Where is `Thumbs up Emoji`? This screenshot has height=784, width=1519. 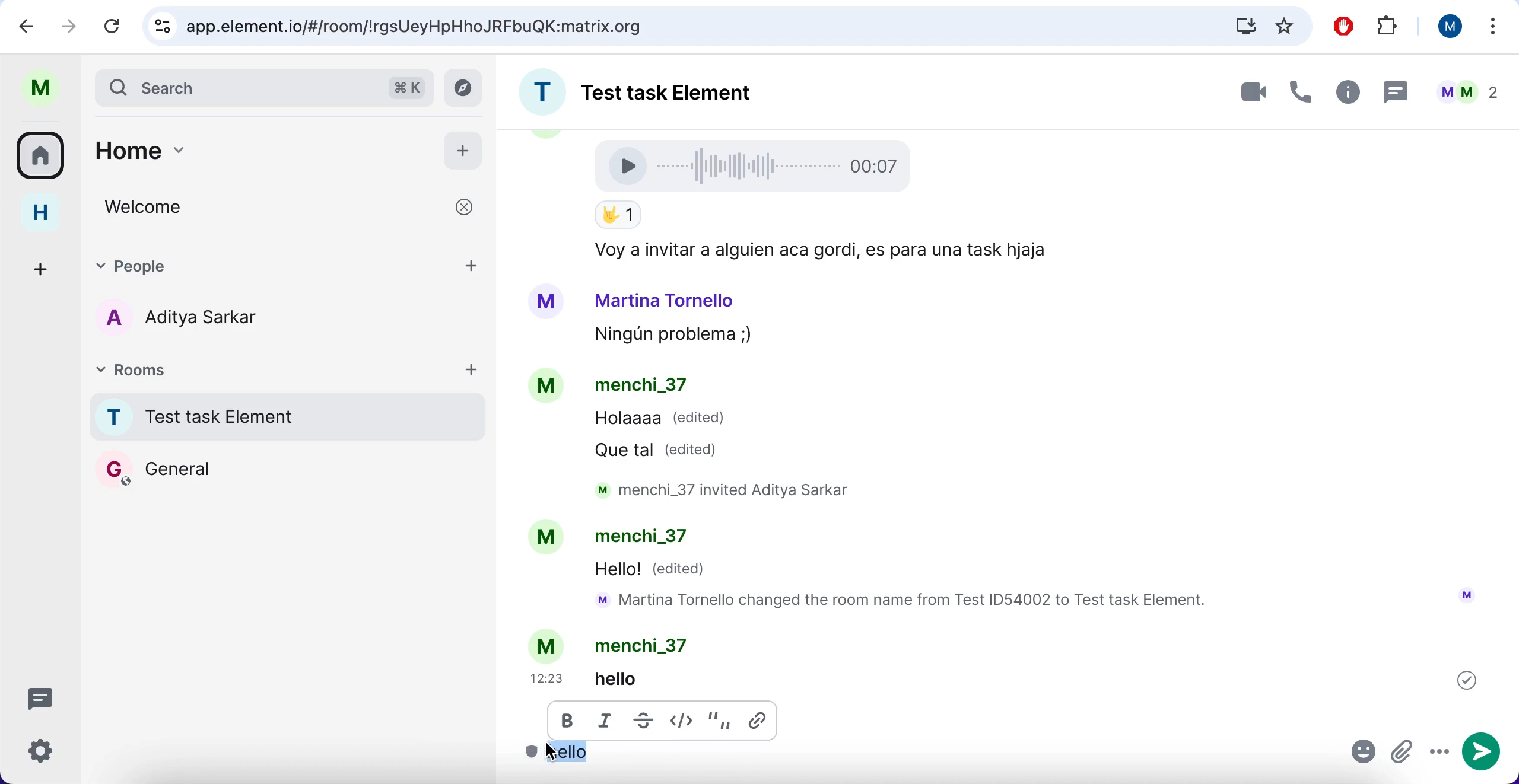 Thumbs up Emoji is located at coordinates (617, 216).